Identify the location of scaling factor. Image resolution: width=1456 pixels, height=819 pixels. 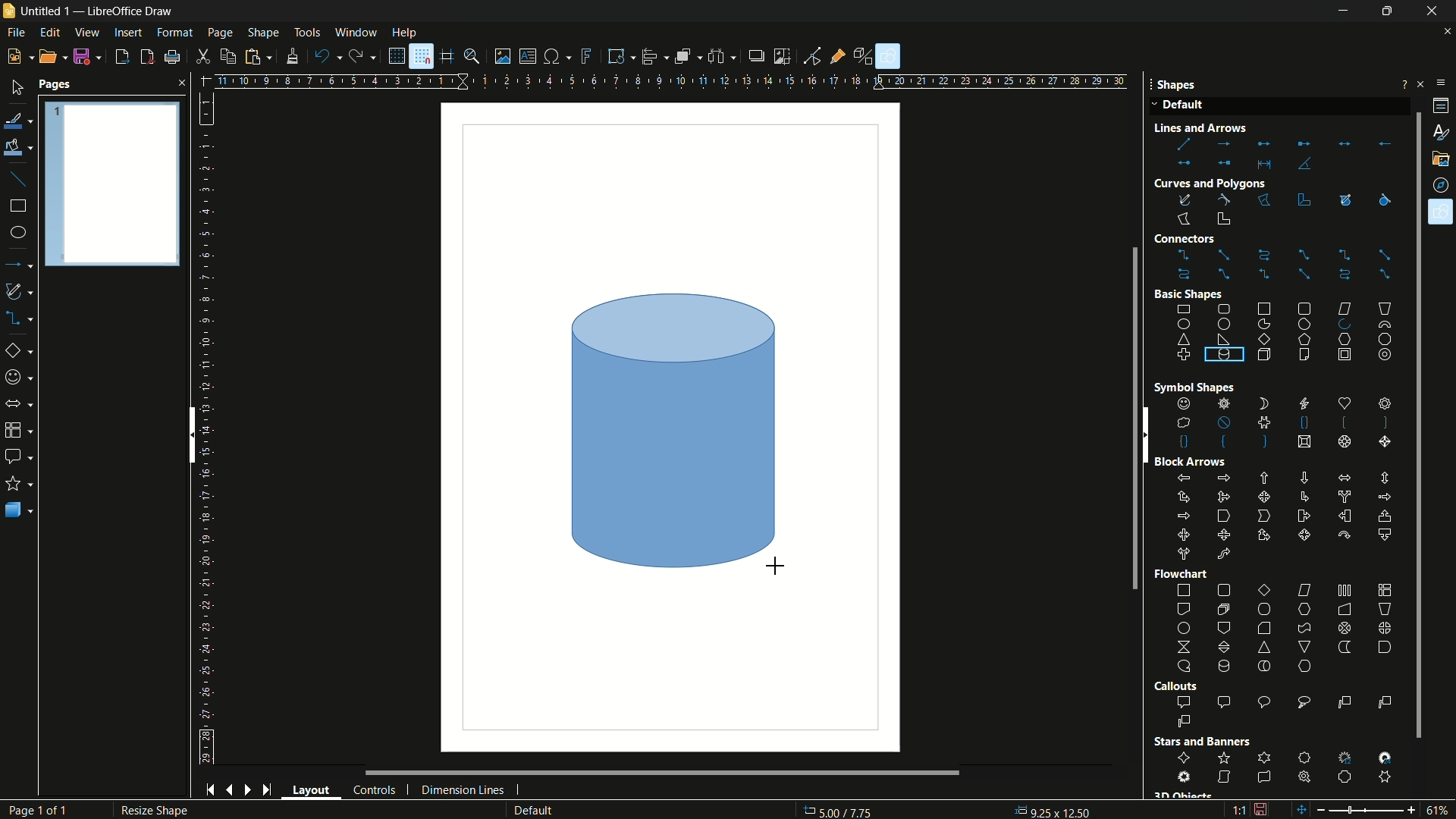
(1238, 812).